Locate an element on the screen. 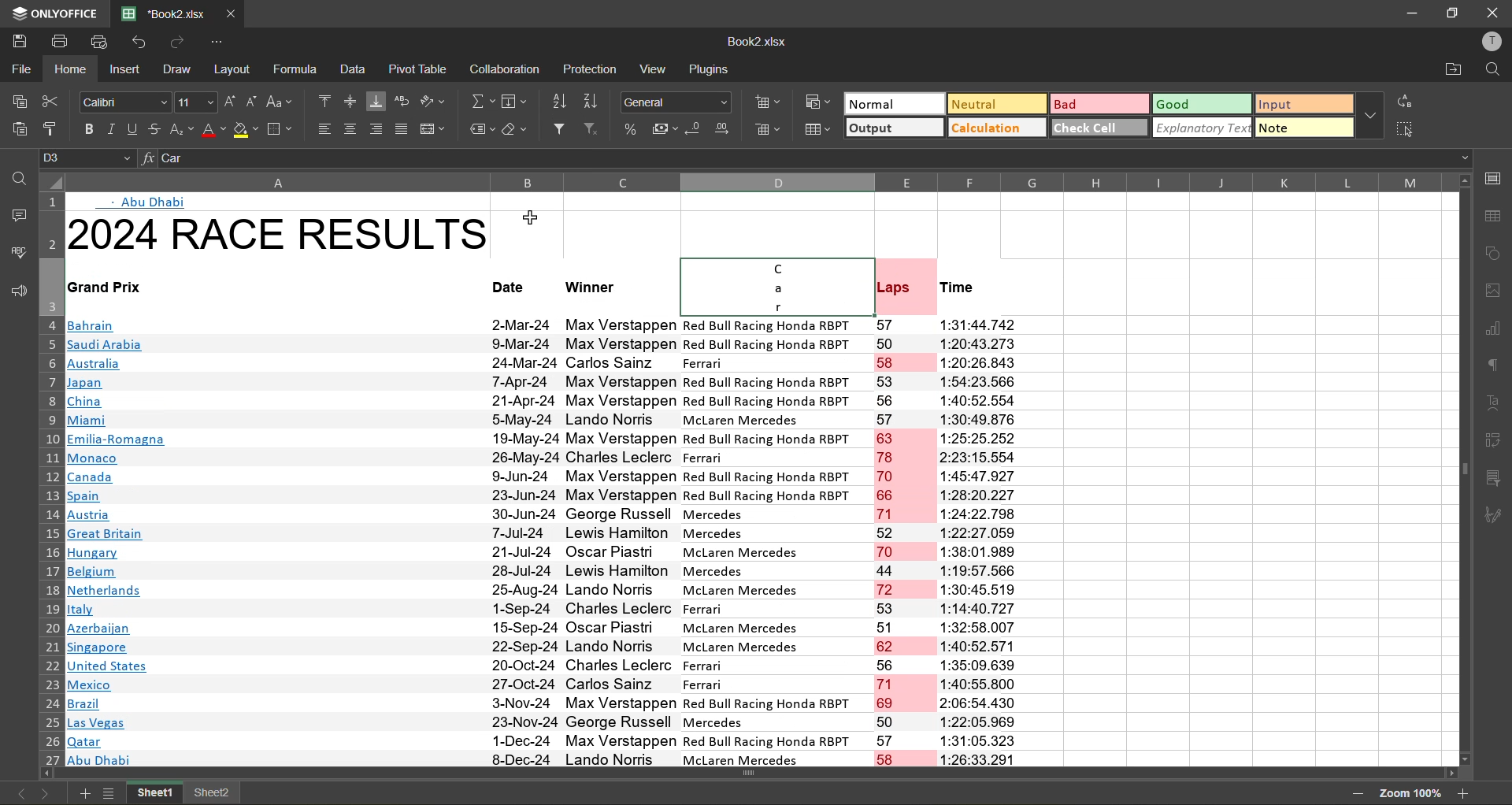  find is located at coordinates (24, 182).